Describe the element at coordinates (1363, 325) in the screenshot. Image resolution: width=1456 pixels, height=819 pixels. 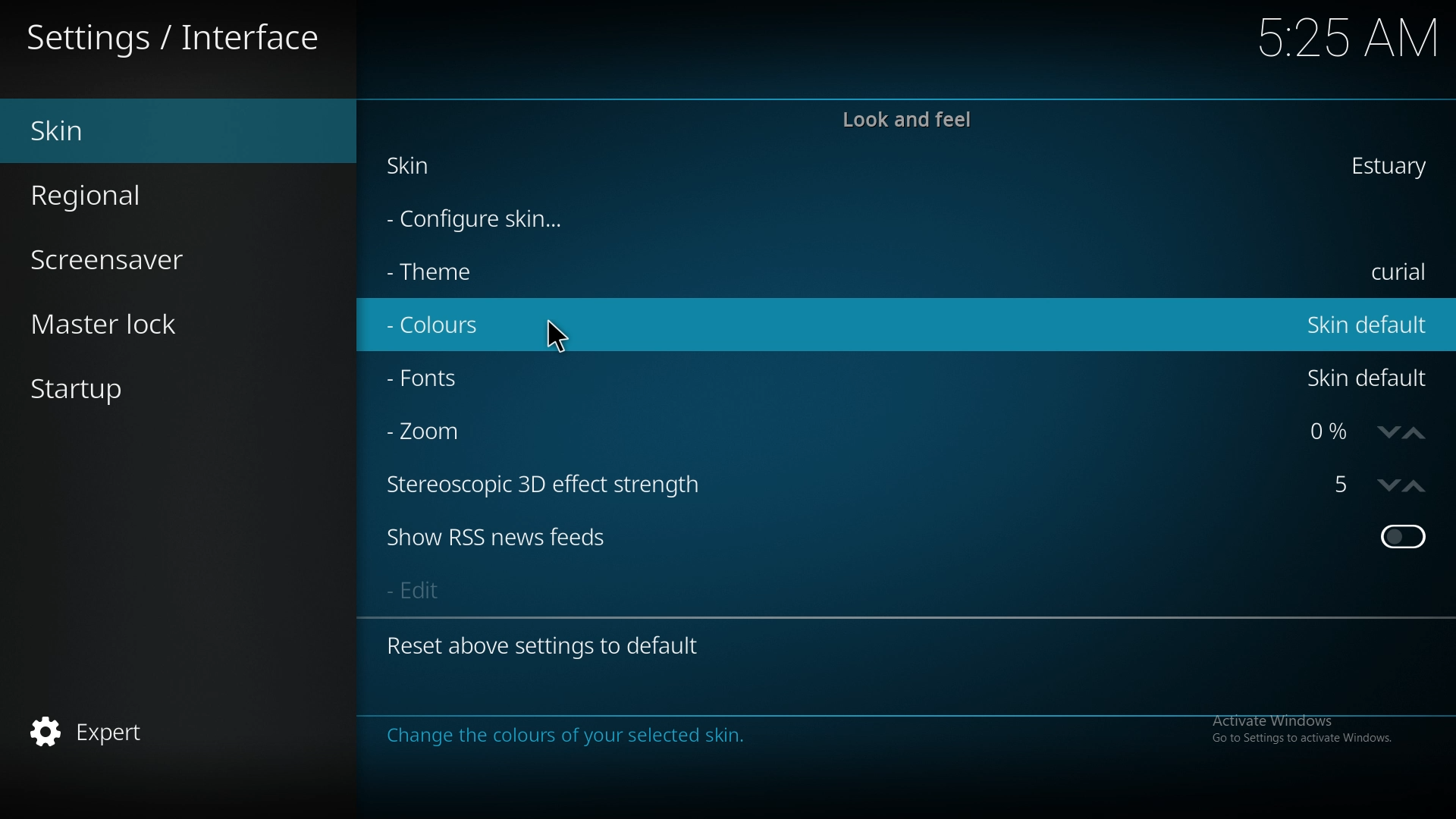
I see `skin default` at that location.